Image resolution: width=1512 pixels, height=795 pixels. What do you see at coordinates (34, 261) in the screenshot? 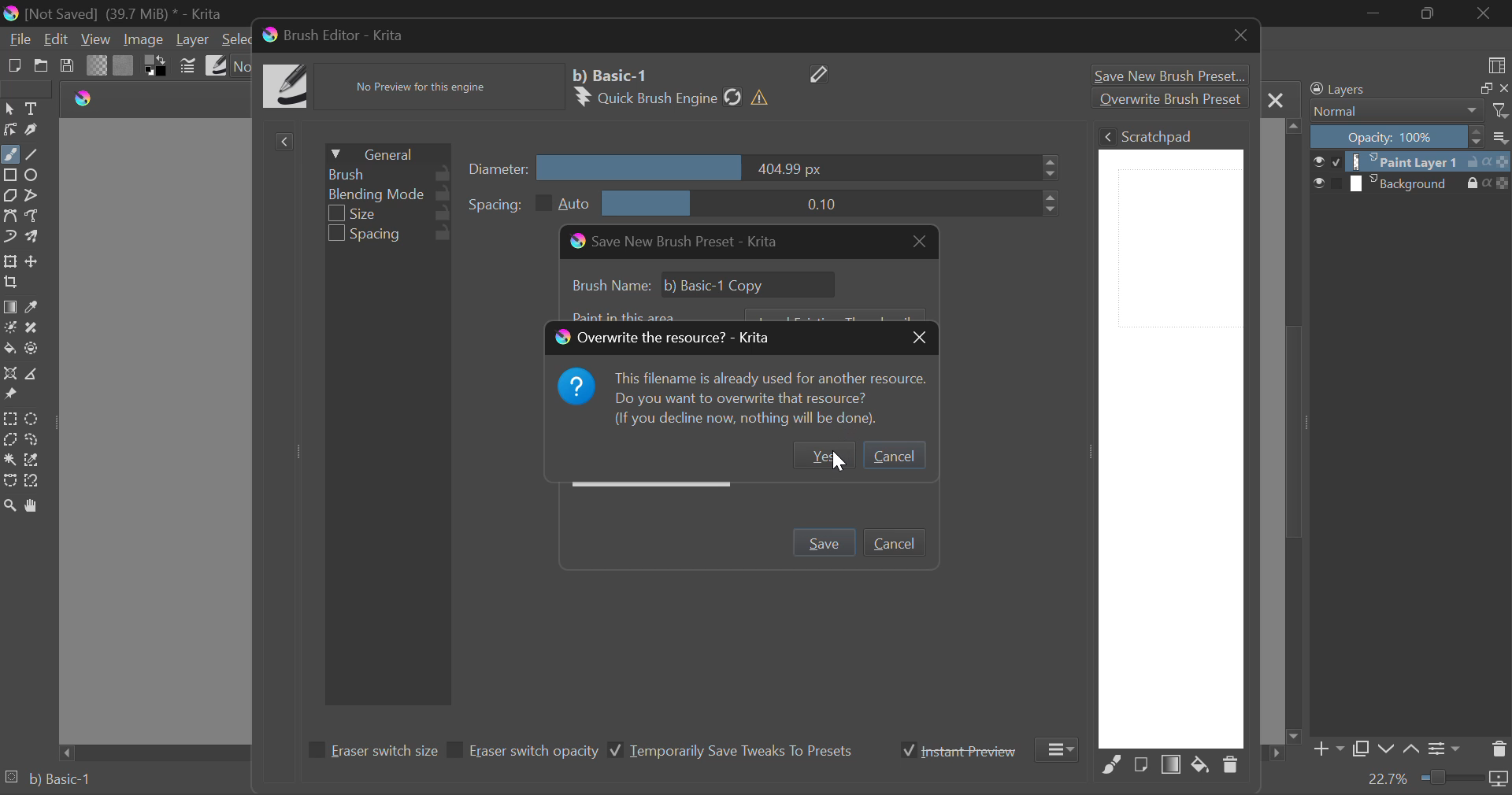
I see `Move Layer` at bounding box center [34, 261].